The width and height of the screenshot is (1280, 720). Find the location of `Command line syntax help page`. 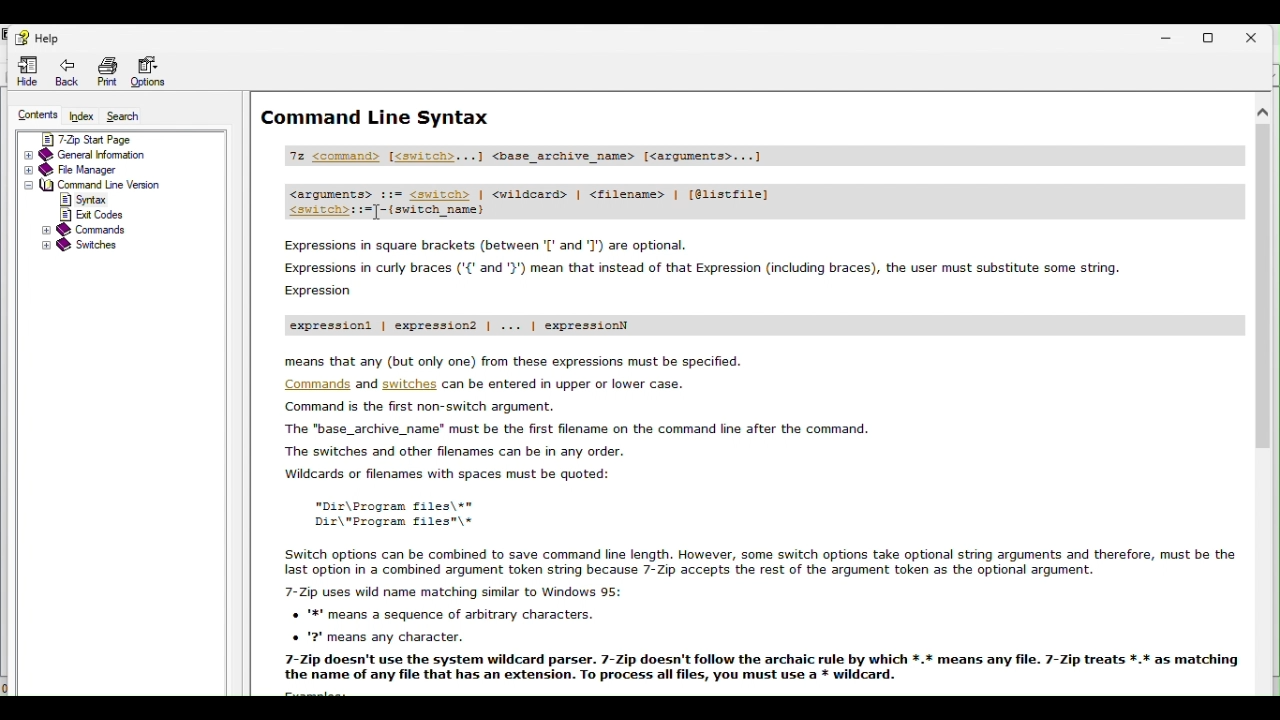

Command line syntax help page is located at coordinates (515, 112).